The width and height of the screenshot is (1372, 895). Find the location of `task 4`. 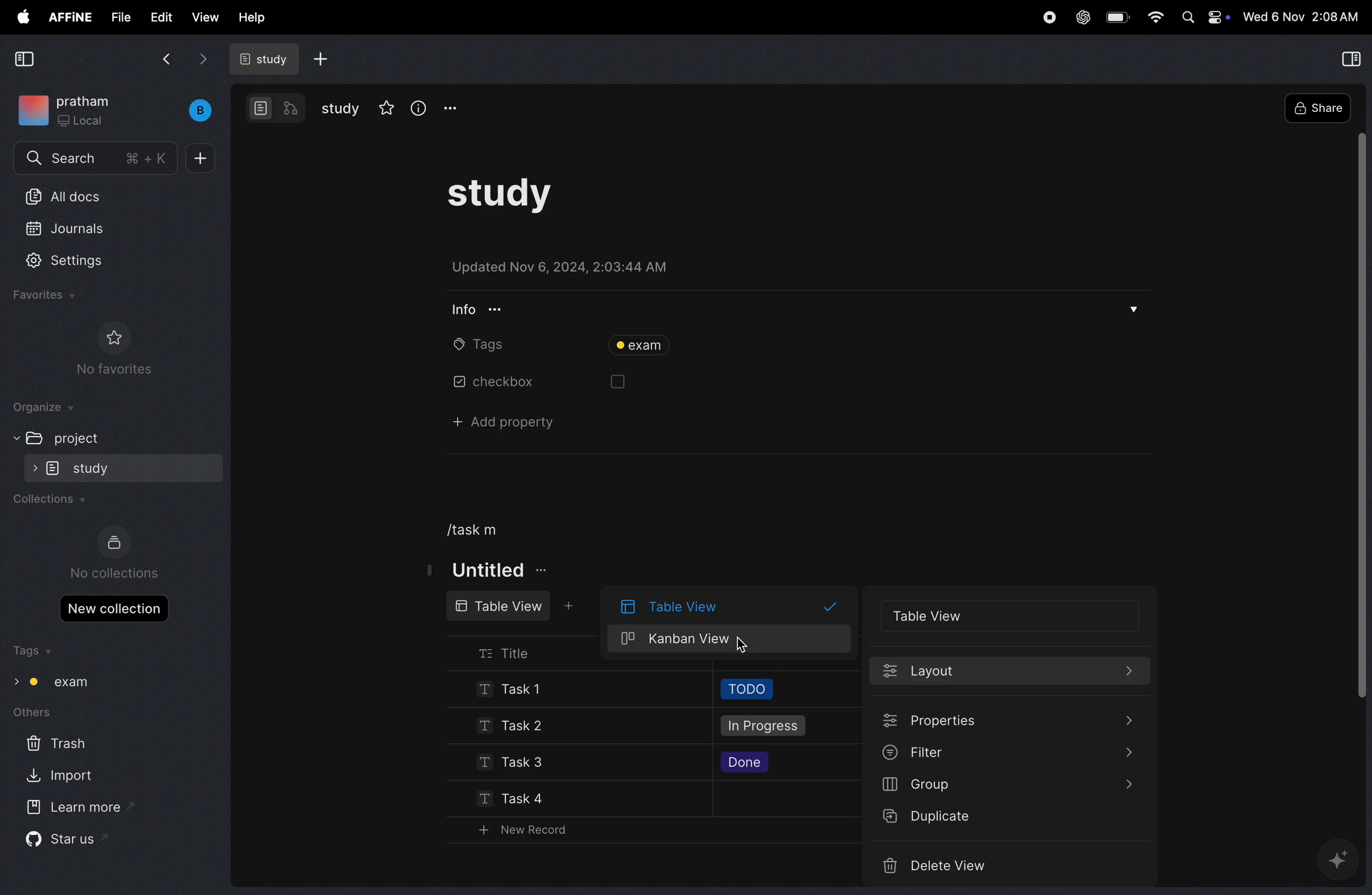

task 4 is located at coordinates (497, 797).